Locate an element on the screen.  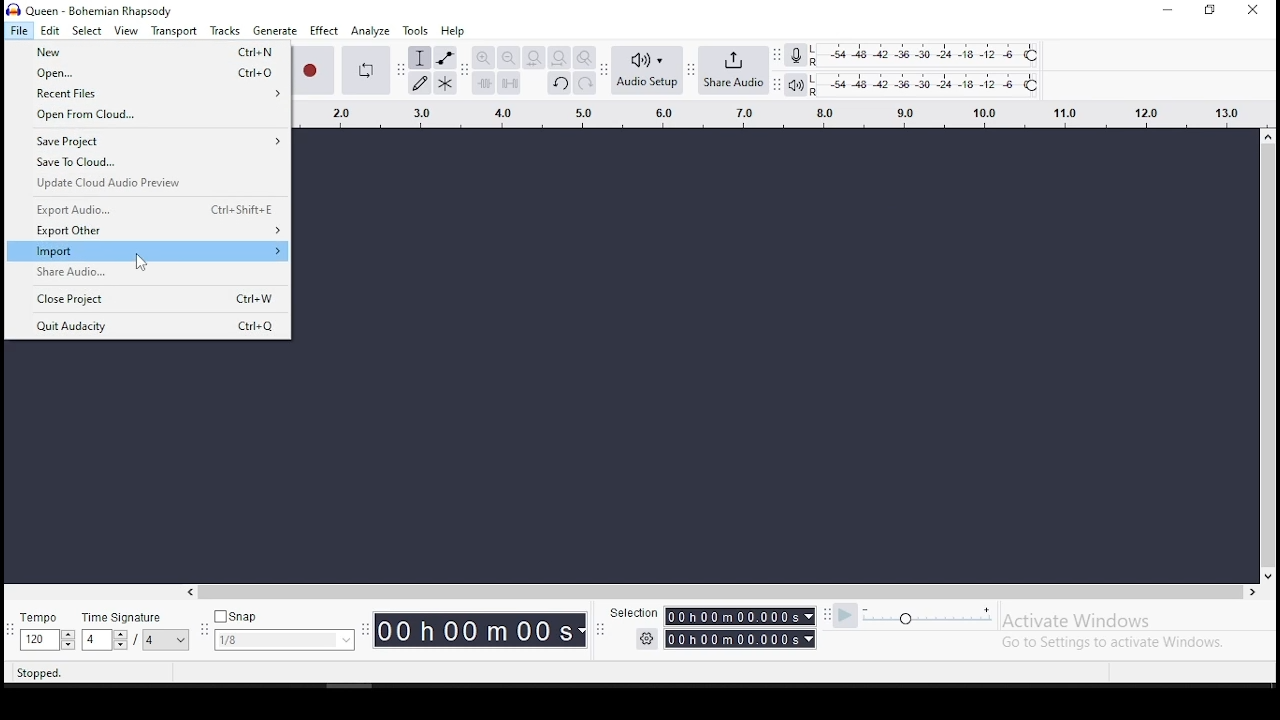
enable looping is located at coordinates (364, 68).